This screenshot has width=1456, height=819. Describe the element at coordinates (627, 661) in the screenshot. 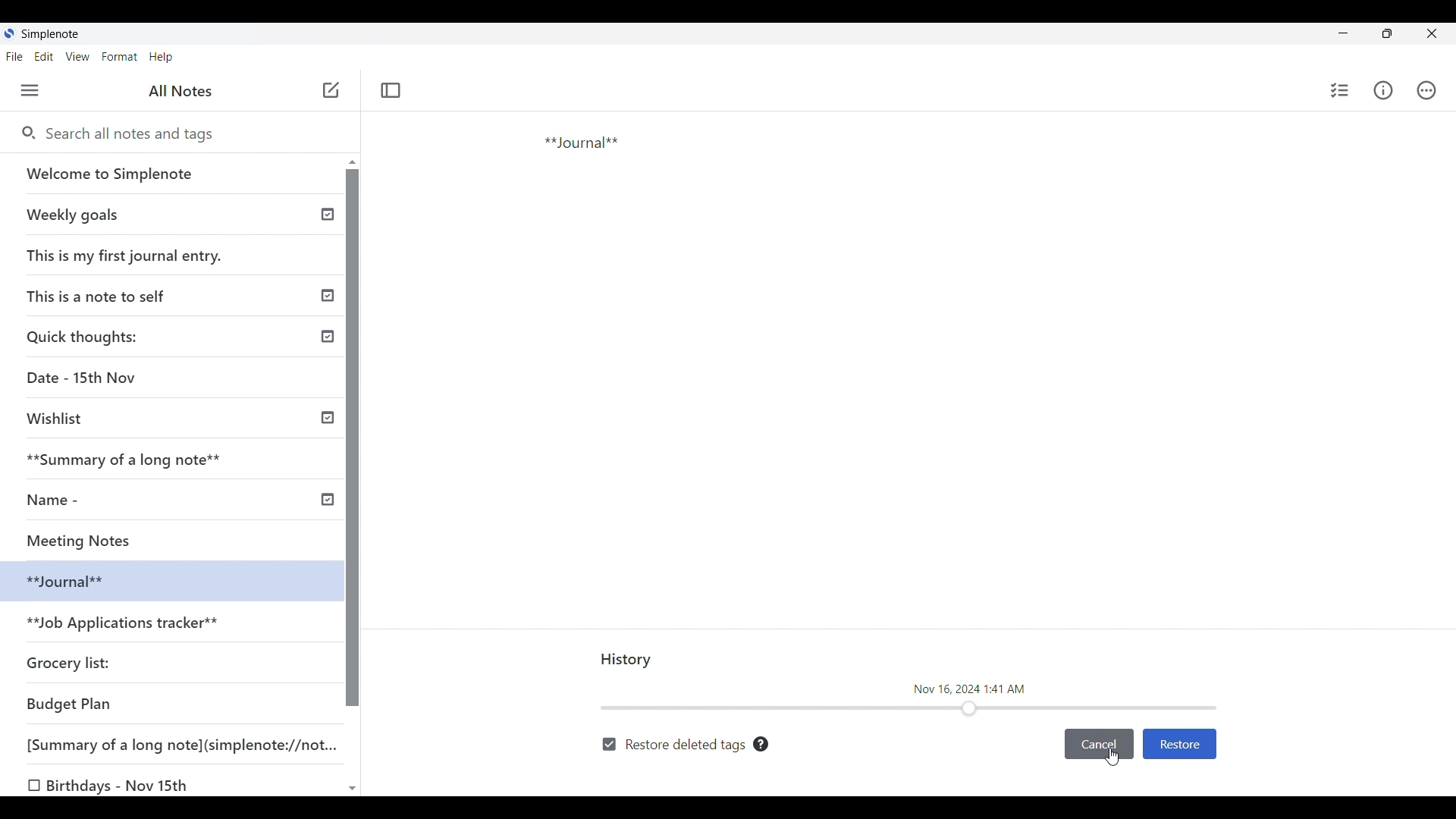

I see `Title of current panel` at that location.